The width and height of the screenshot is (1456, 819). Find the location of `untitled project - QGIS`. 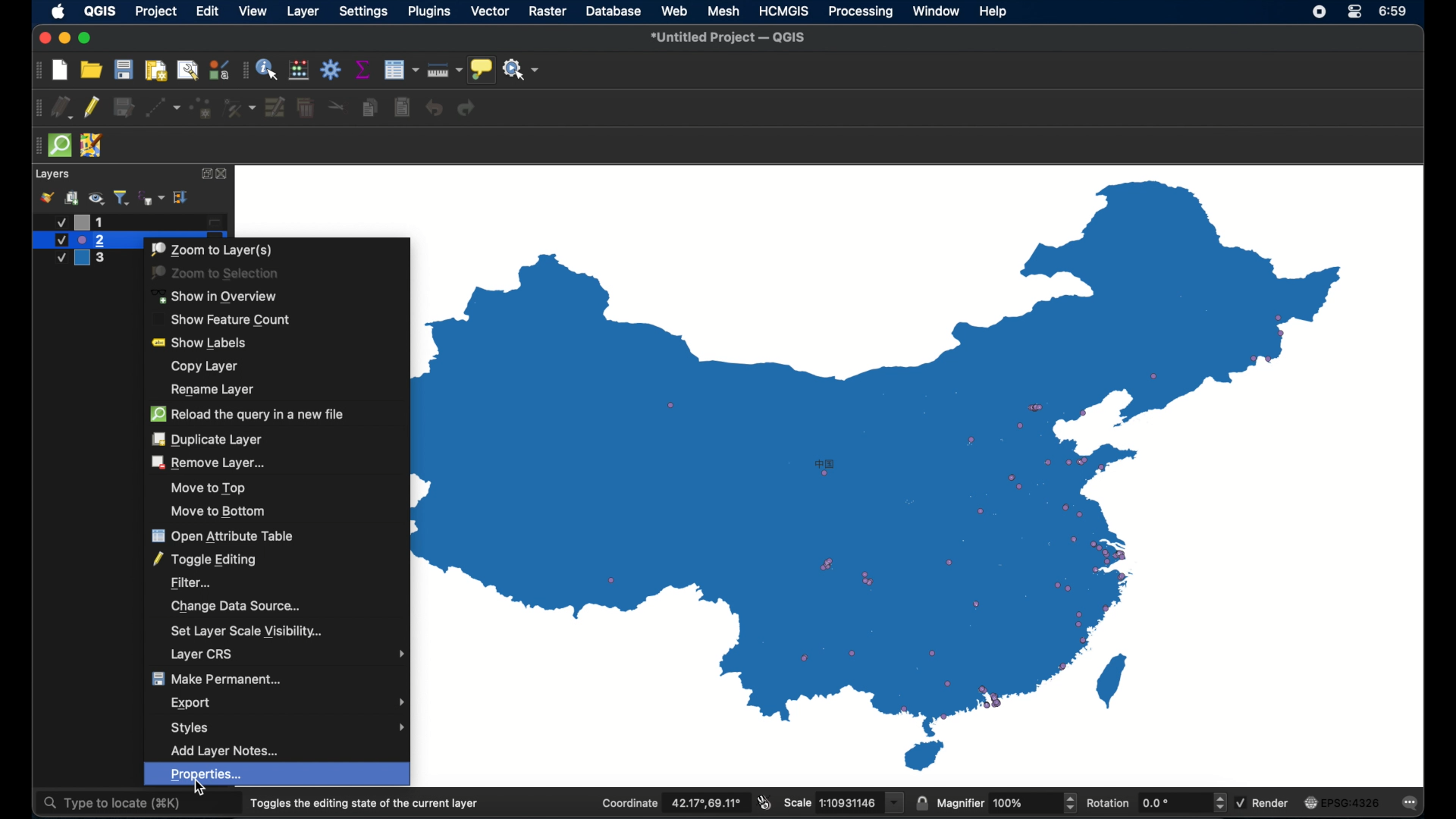

untitled project - QGIS is located at coordinates (728, 38).